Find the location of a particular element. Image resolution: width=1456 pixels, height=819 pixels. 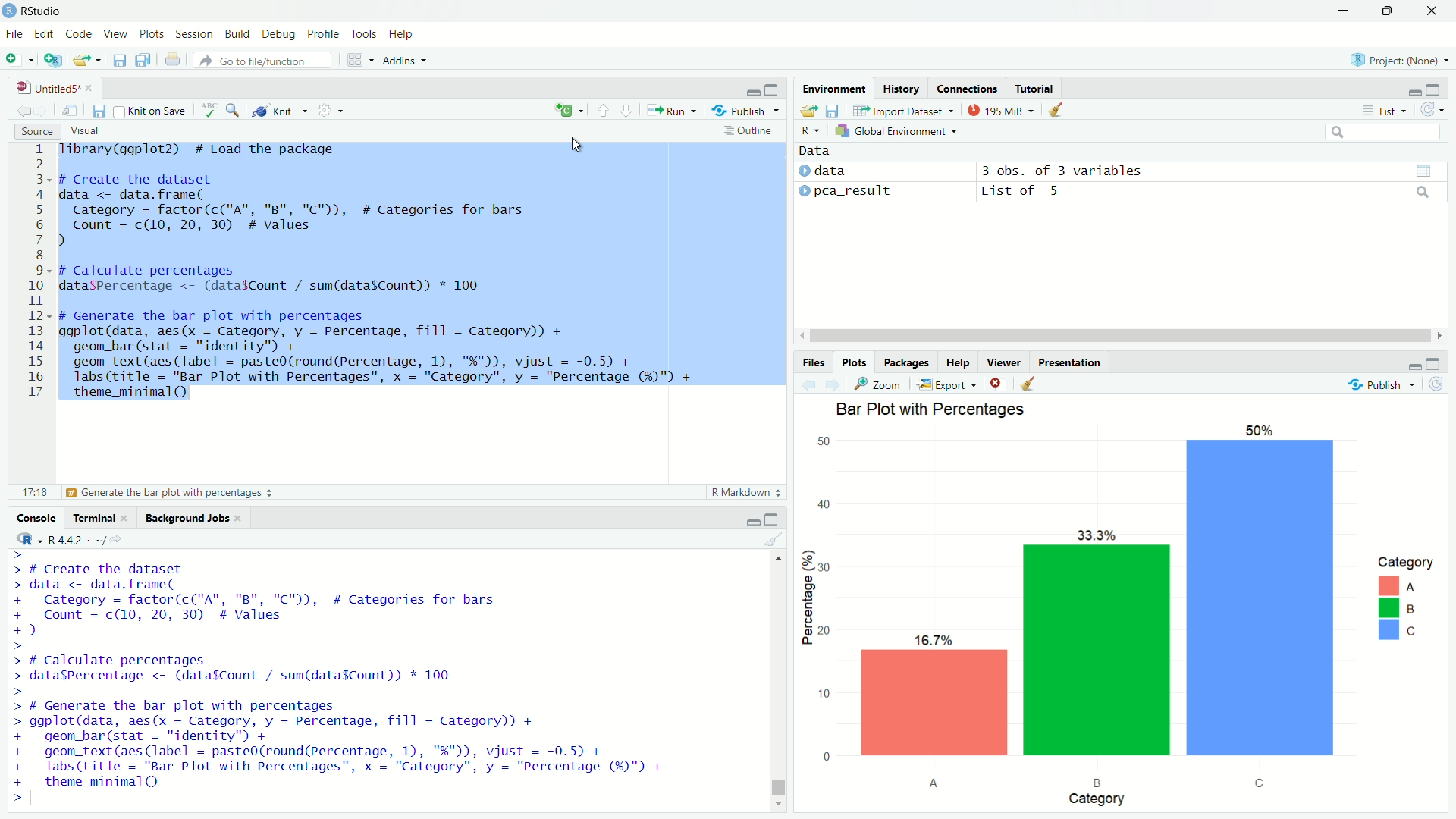

File is located at coordinates (15, 35).